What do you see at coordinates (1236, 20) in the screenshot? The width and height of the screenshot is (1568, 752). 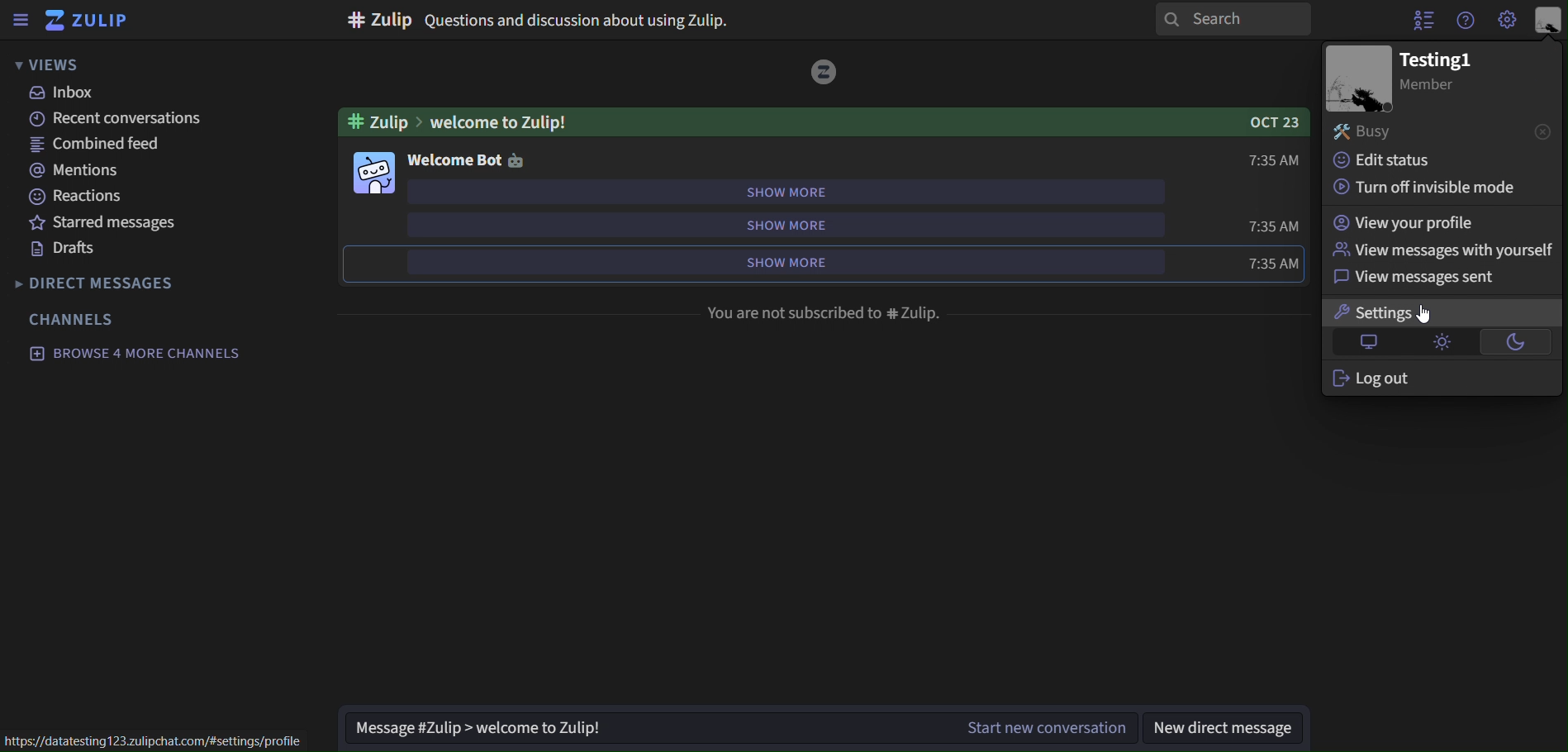 I see `search ` at bounding box center [1236, 20].